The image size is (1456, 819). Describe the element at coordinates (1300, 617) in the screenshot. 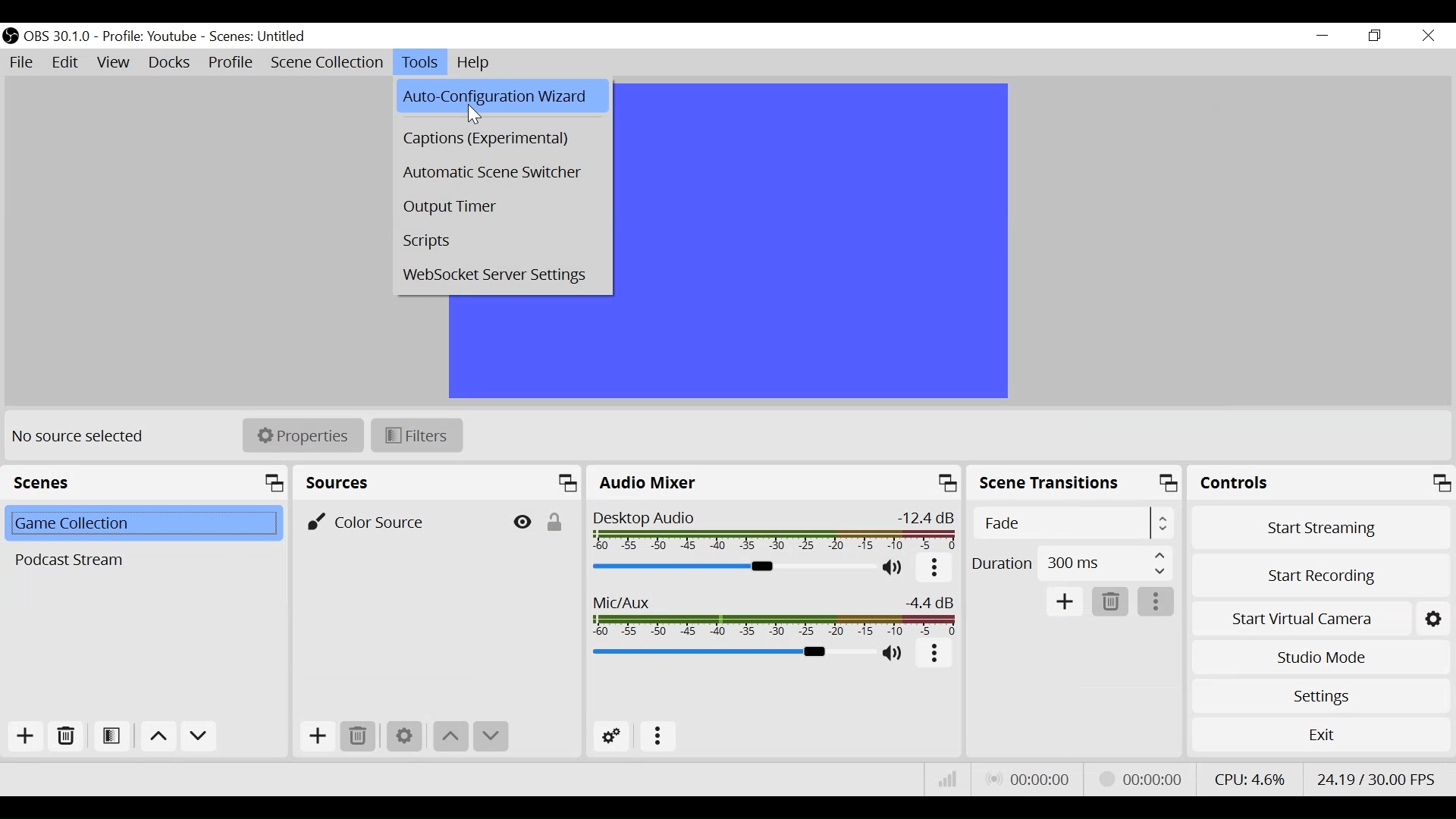

I see `Start Virtual Camera` at that location.